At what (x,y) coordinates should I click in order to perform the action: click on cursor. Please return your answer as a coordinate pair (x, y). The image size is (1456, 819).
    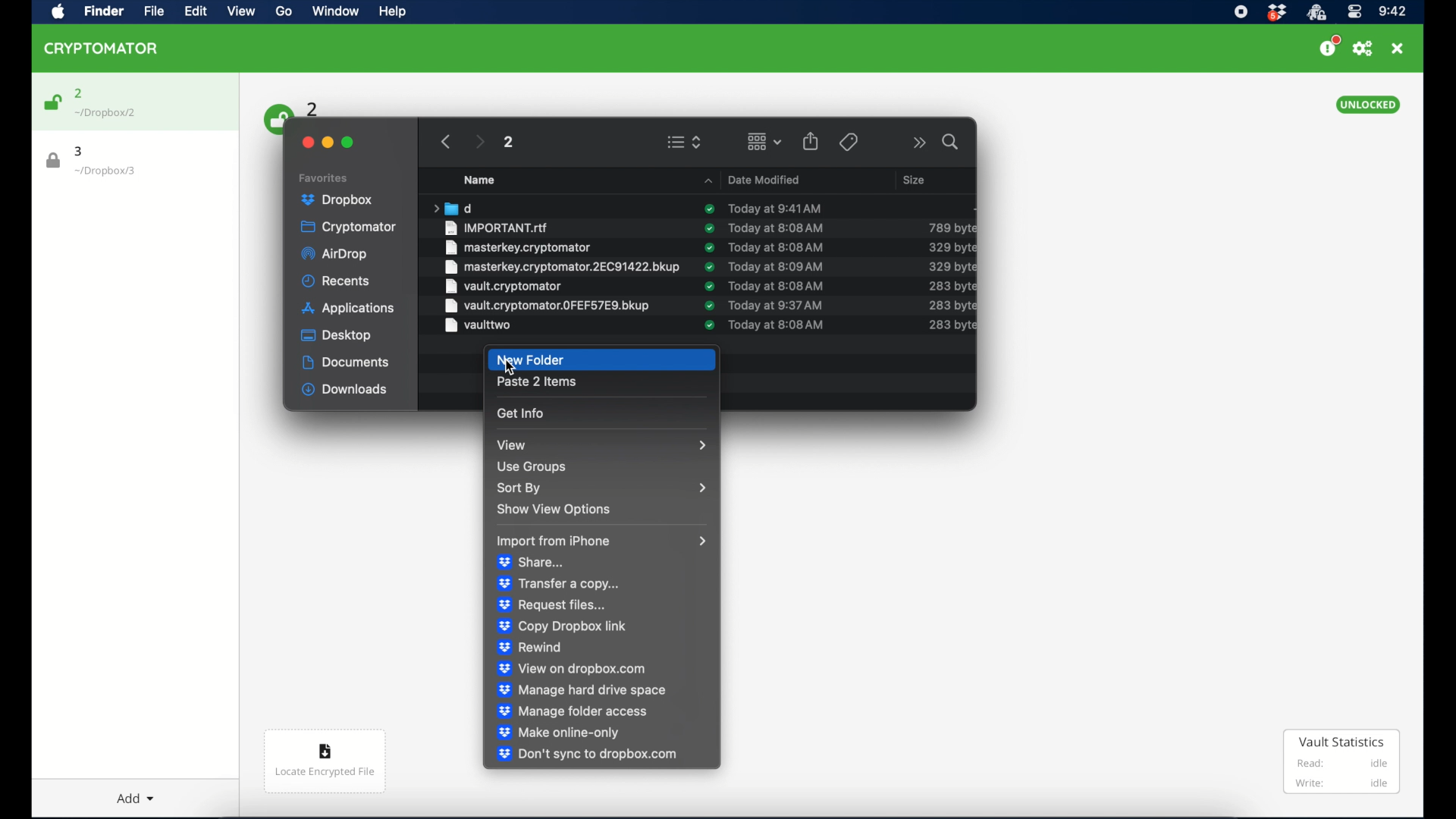
    Looking at the image, I should click on (511, 369).